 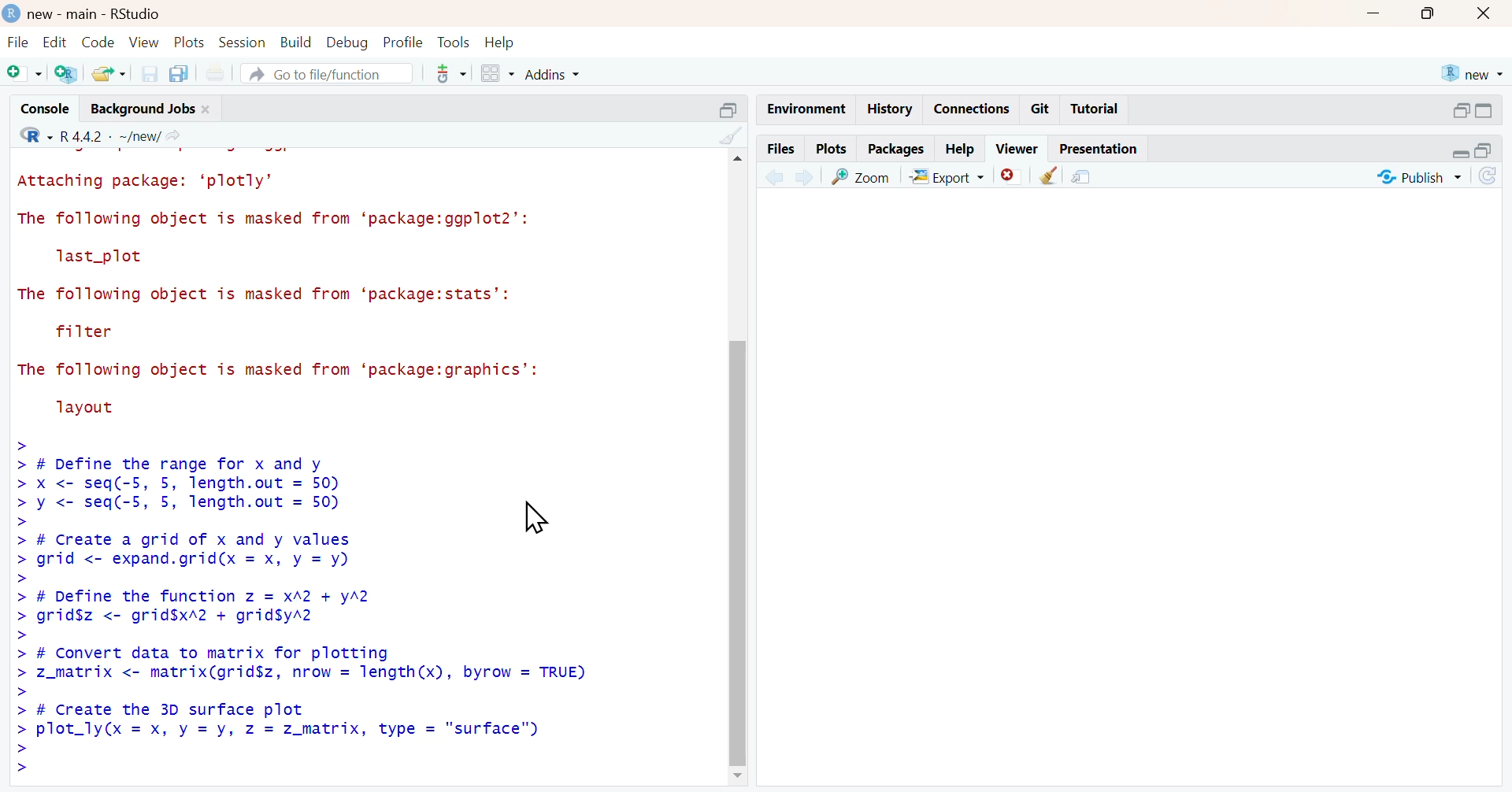 What do you see at coordinates (169, 463) in the screenshot?
I see `# Define the range for X and y ` at bounding box center [169, 463].